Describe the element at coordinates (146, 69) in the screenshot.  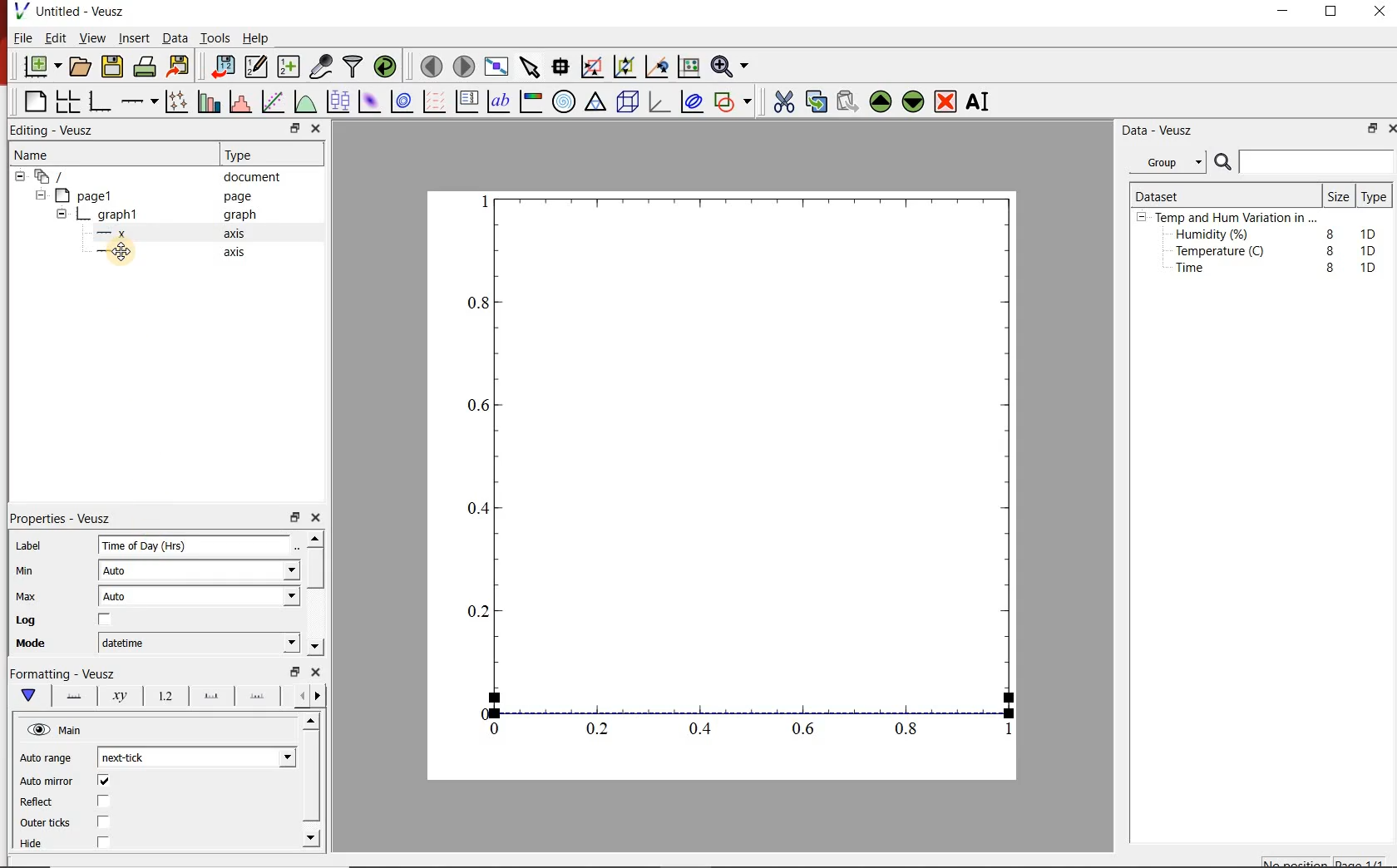
I see `print the document` at that location.